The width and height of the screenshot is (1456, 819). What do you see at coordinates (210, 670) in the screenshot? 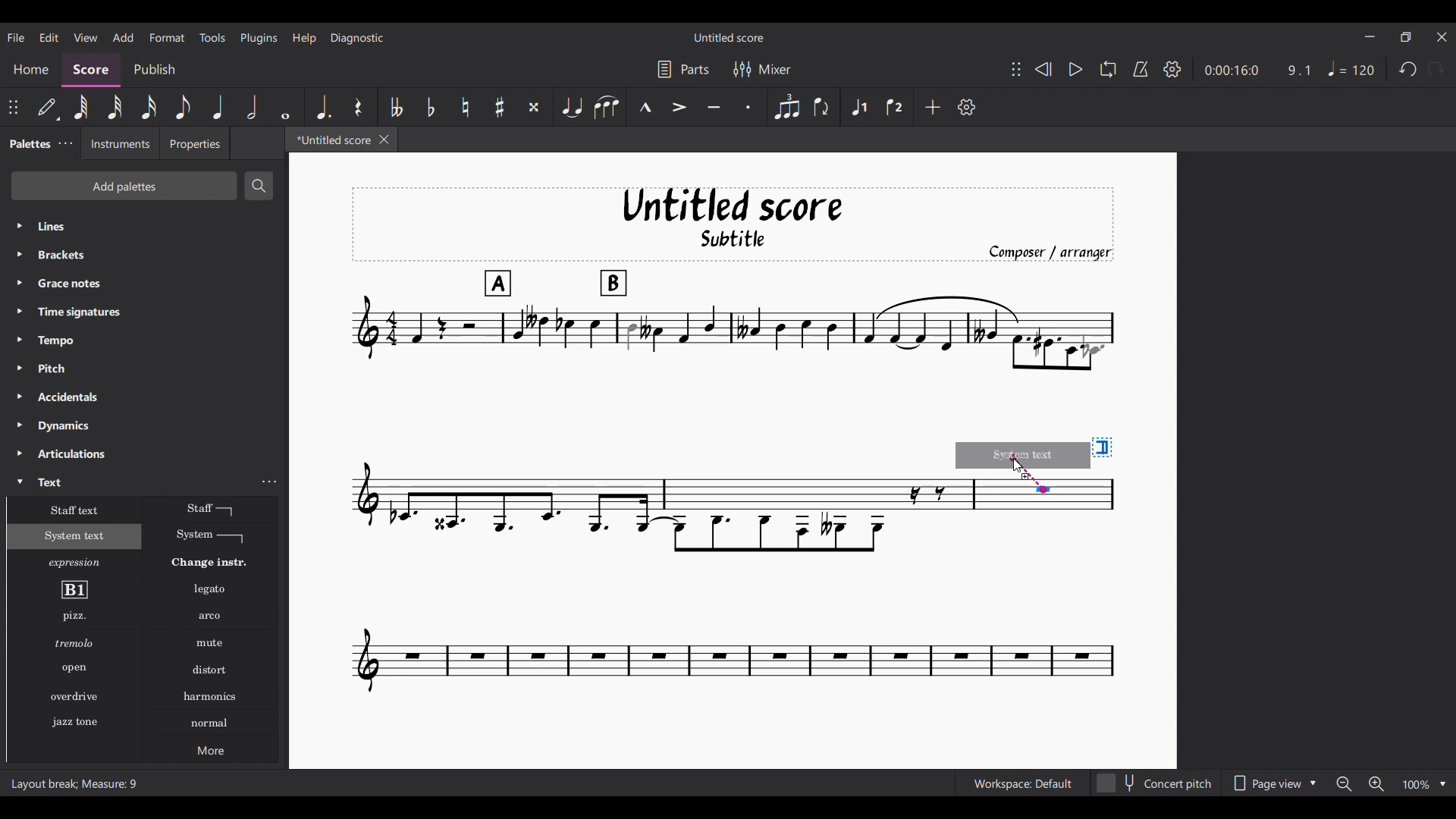
I see `Distort` at bounding box center [210, 670].